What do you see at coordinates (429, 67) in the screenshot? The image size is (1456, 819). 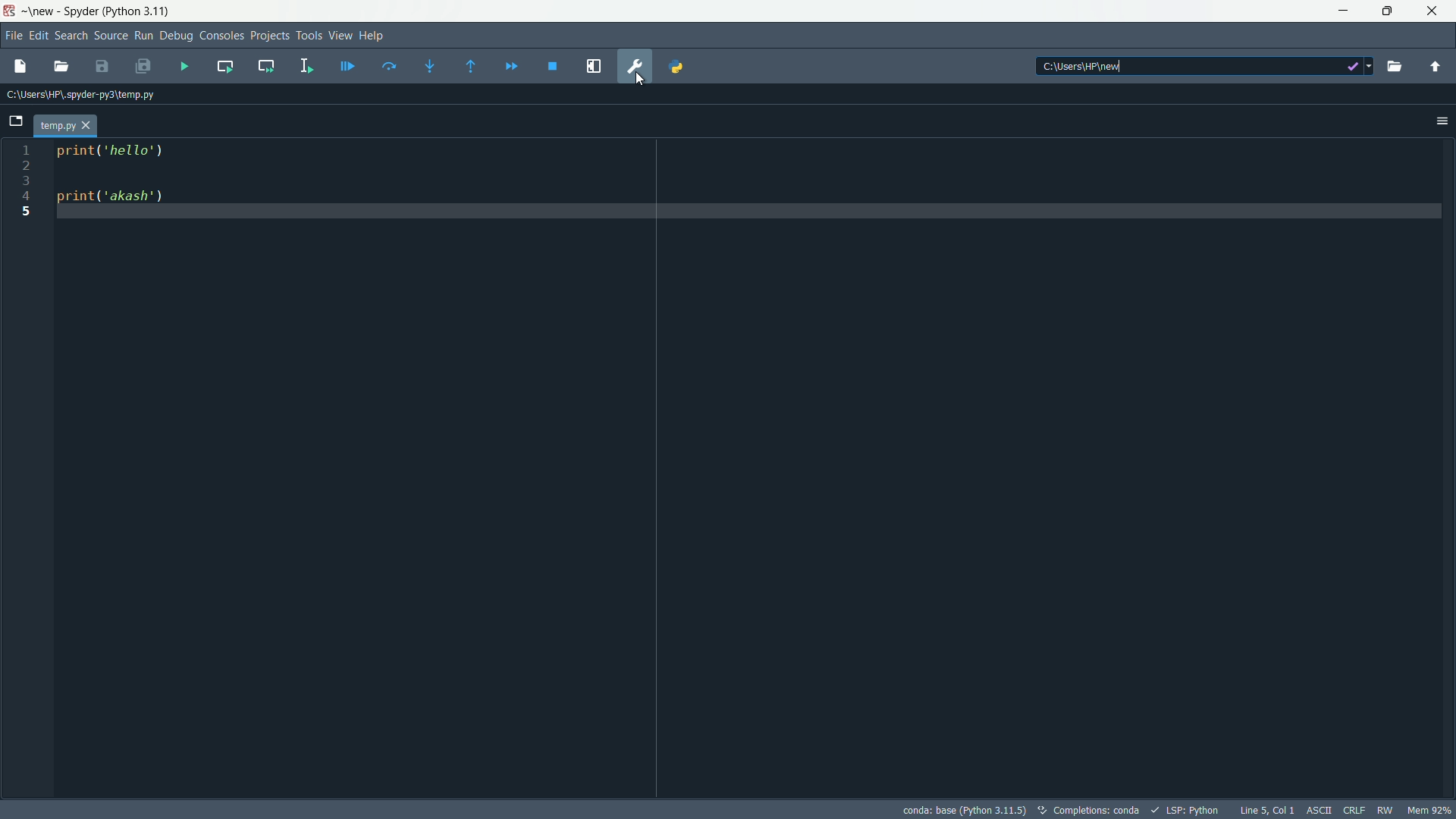 I see `step into function` at bounding box center [429, 67].